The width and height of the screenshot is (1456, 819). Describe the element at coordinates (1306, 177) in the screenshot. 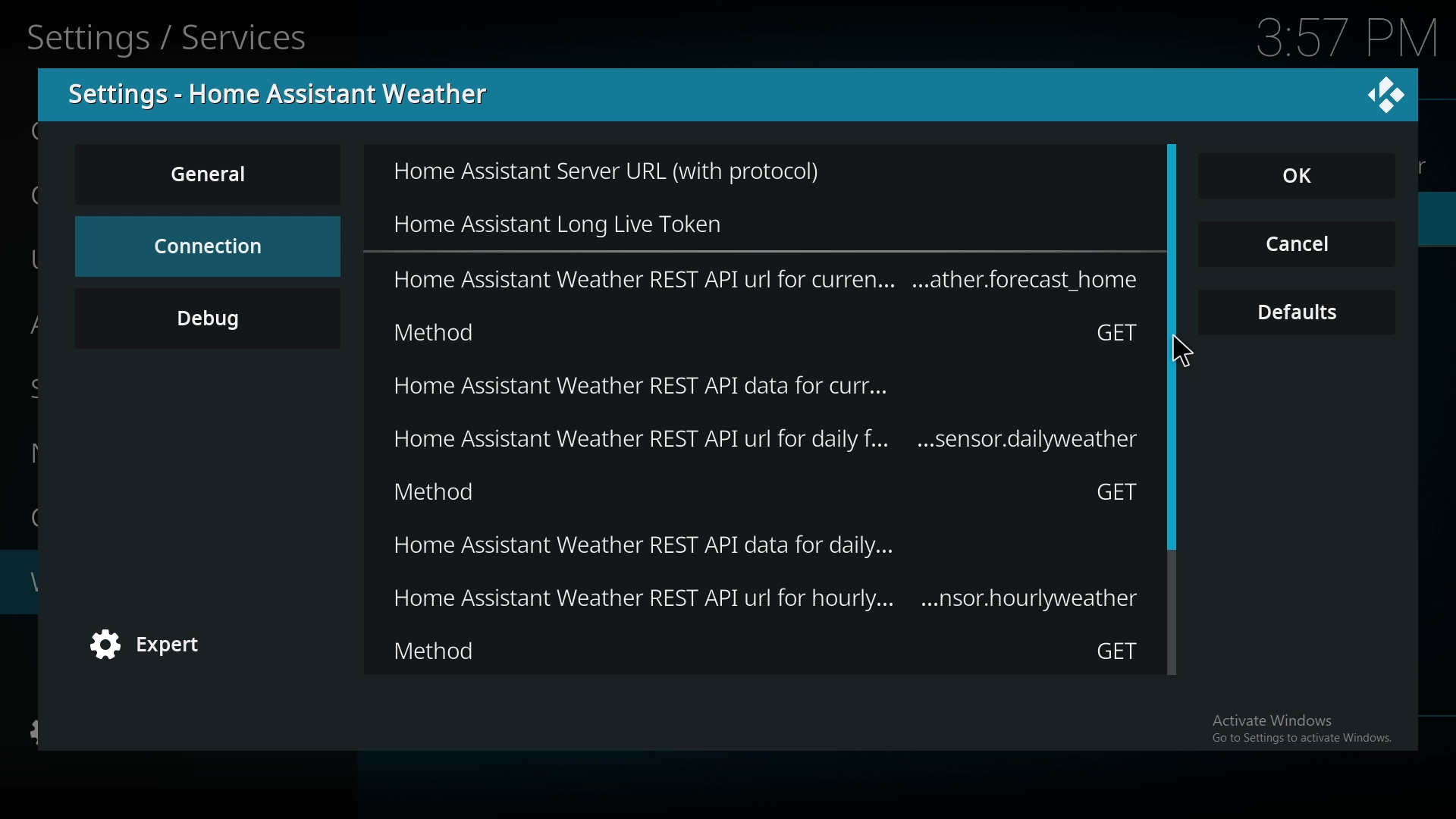

I see `ok` at that location.